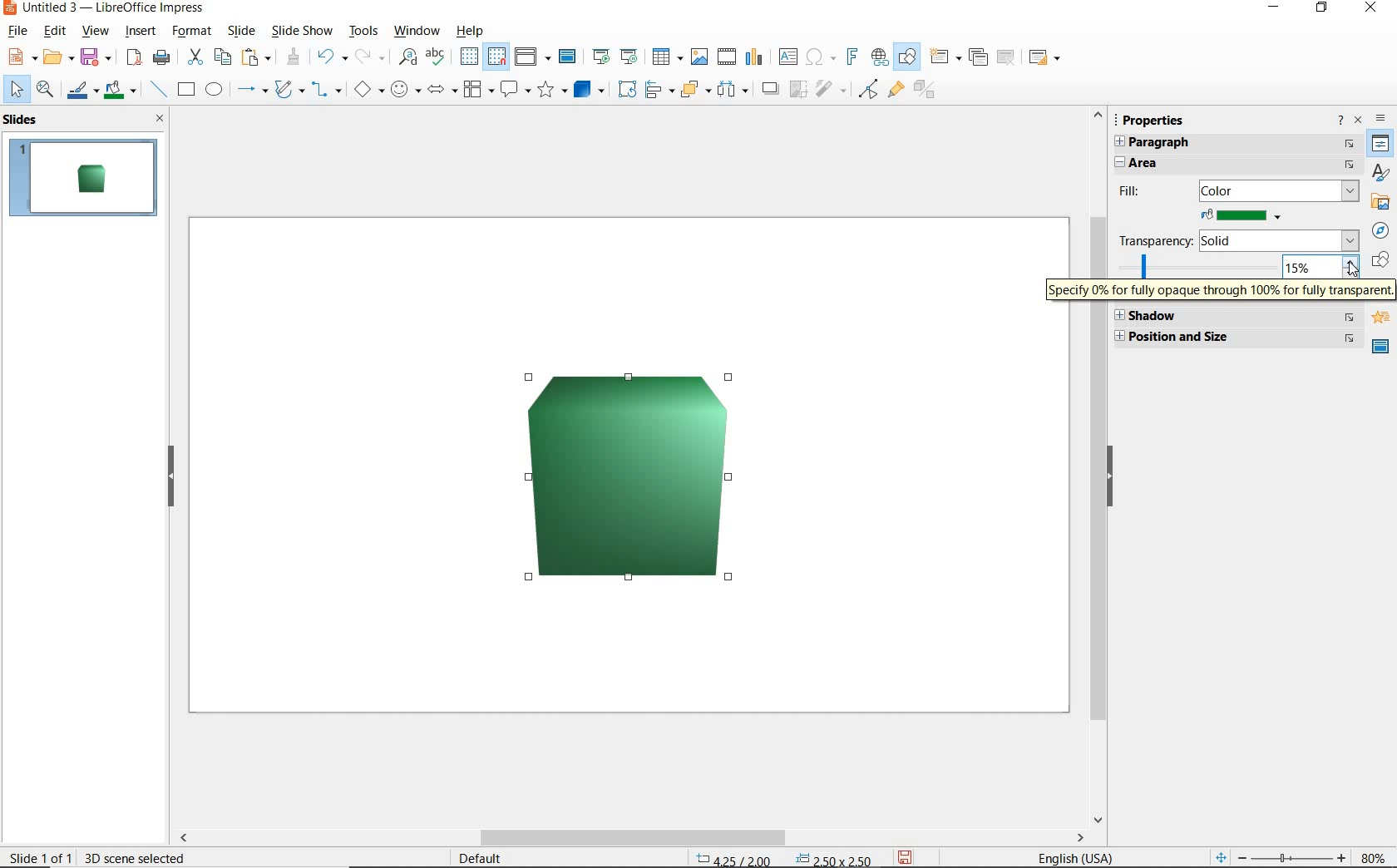 Image resolution: width=1397 pixels, height=868 pixels. What do you see at coordinates (909, 57) in the screenshot?
I see `show draw functions` at bounding box center [909, 57].